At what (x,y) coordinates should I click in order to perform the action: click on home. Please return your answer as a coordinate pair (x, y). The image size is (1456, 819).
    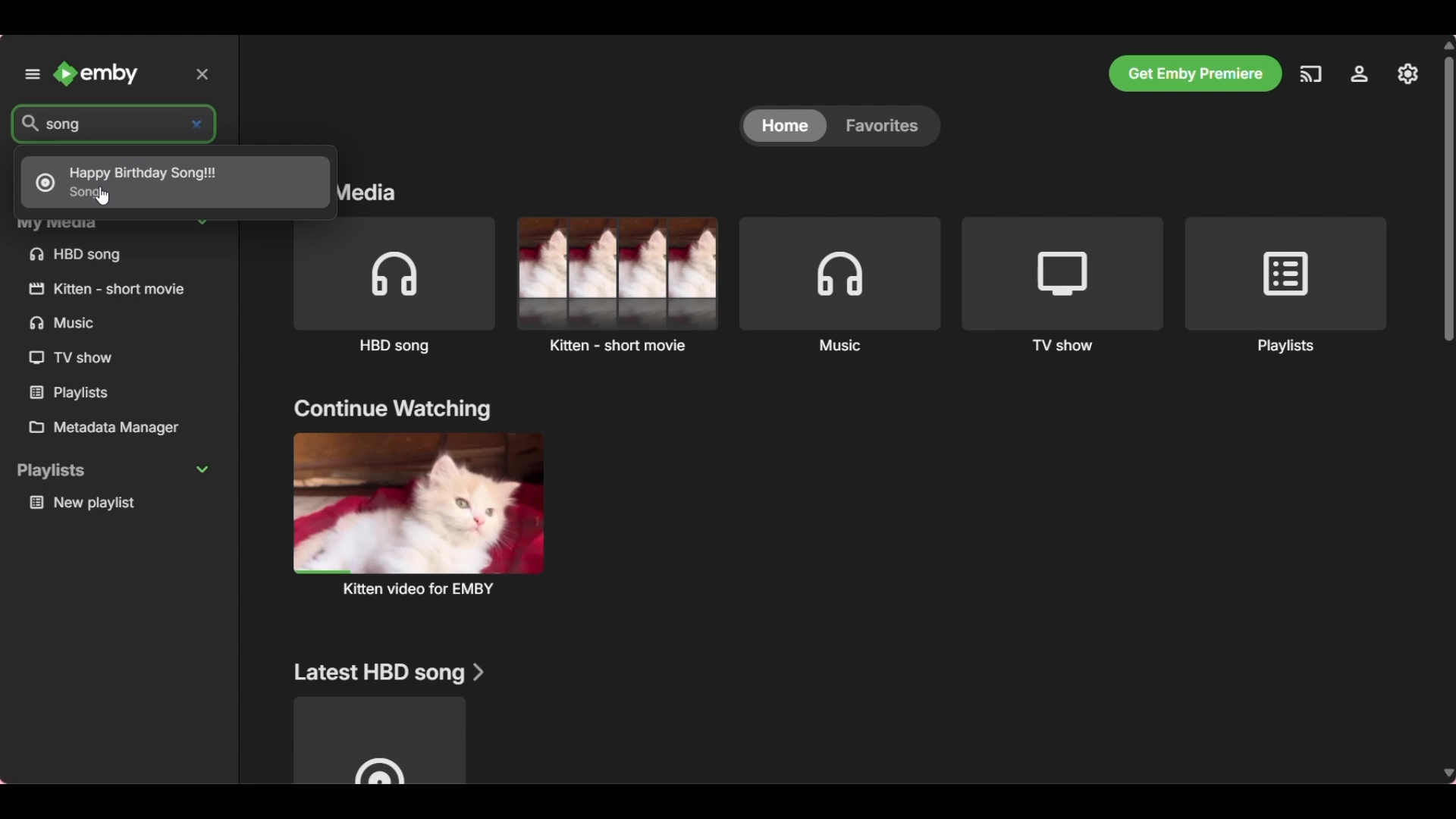
    Looking at the image, I should click on (782, 127).